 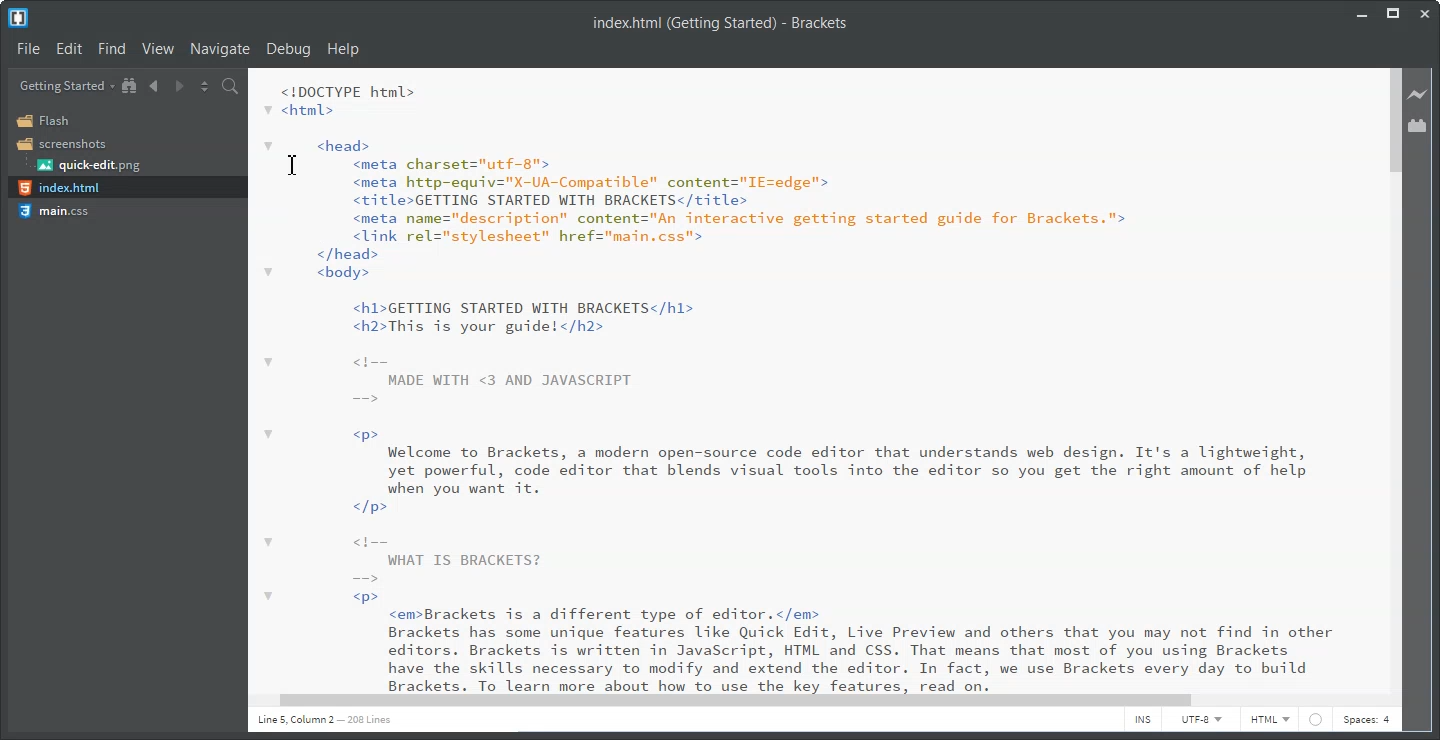 I want to click on Edit, so click(x=70, y=49).